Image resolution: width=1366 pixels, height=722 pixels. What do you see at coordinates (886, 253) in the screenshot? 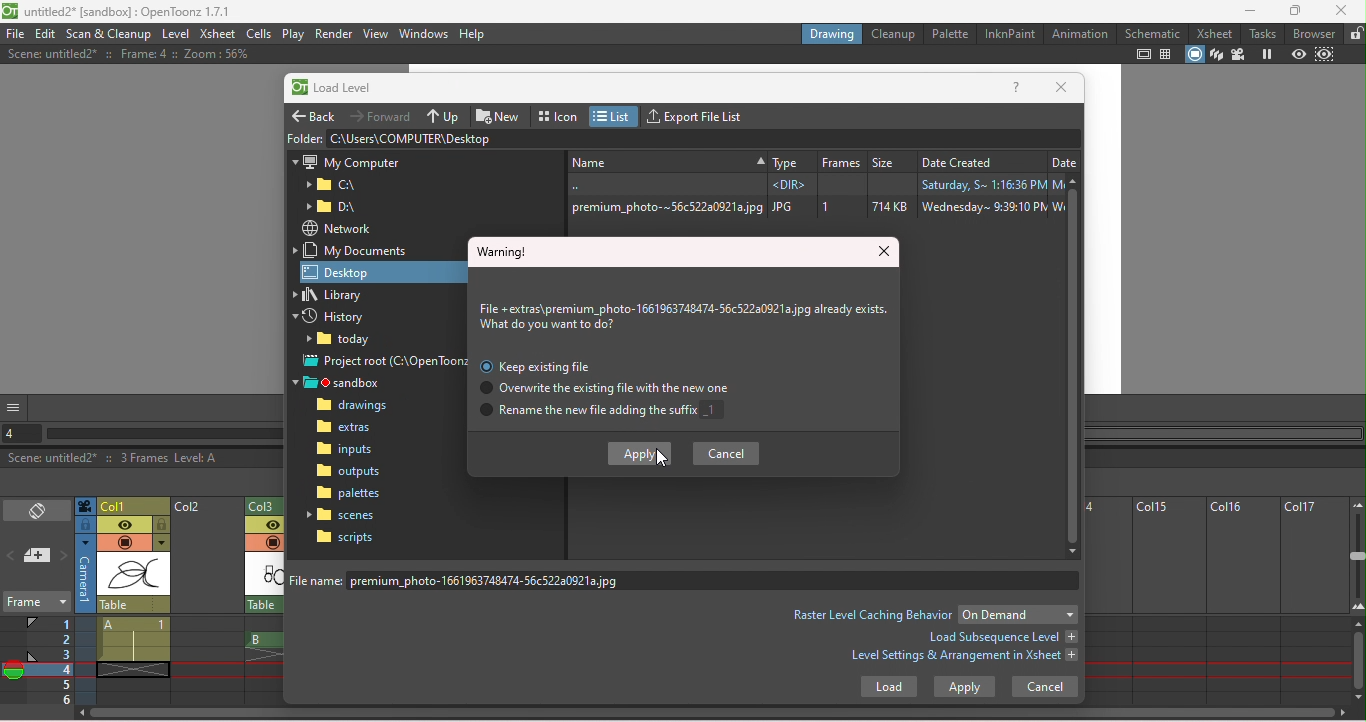
I see `Close` at bounding box center [886, 253].